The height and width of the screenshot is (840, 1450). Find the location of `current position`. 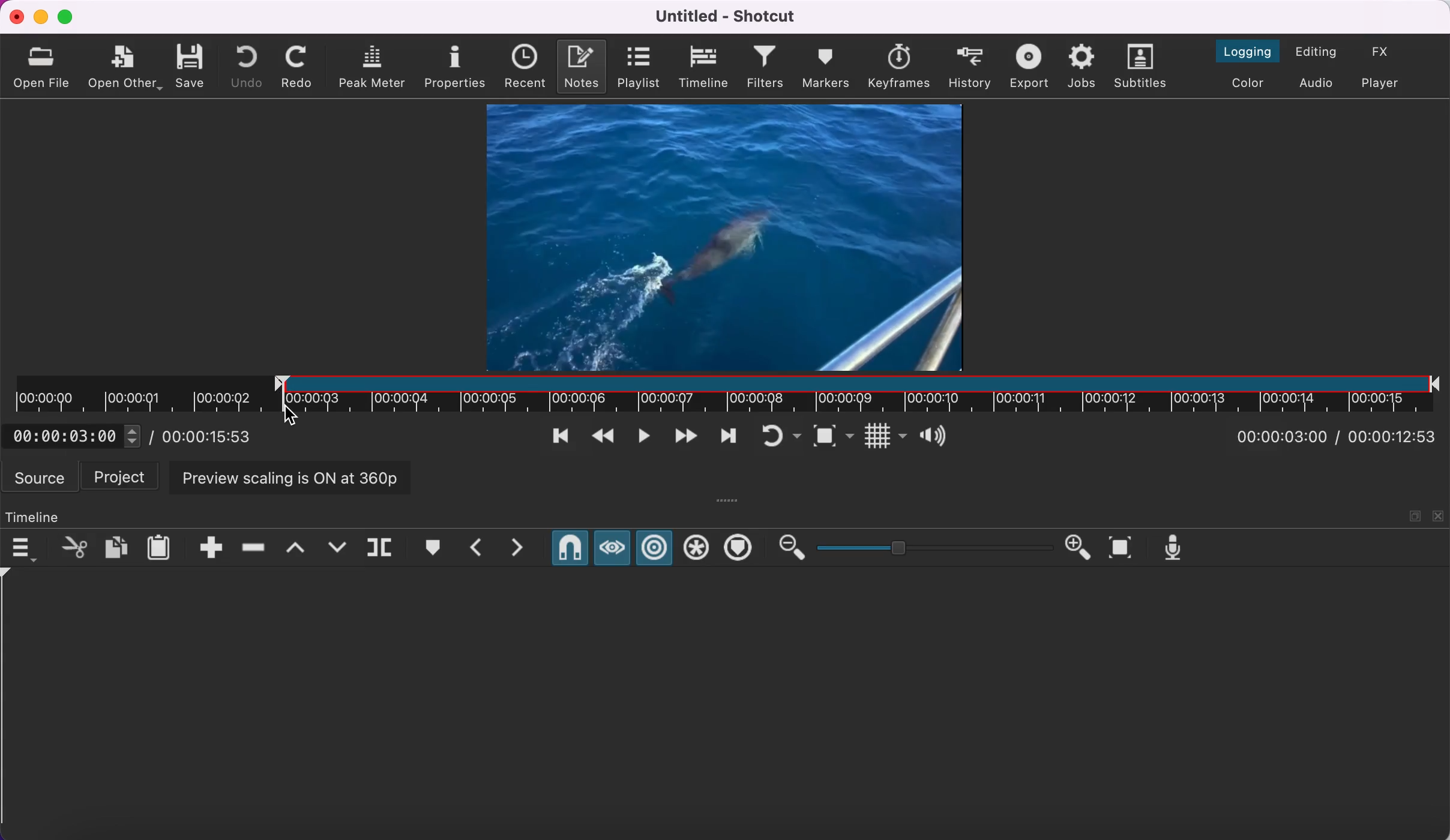

current position is located at coordinates (1287, 436).